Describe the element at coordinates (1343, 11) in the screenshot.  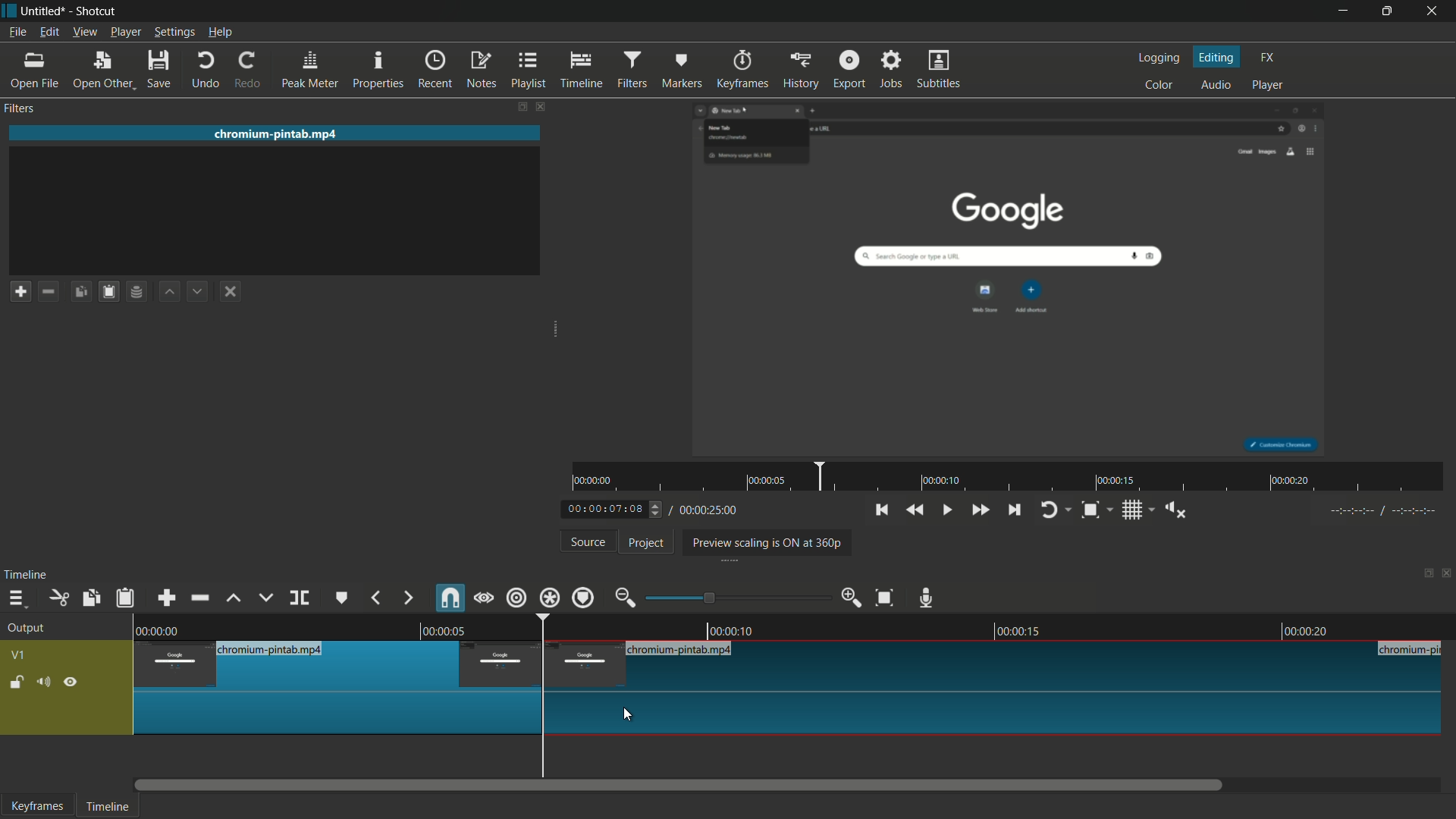
I see `minimize` at that location.